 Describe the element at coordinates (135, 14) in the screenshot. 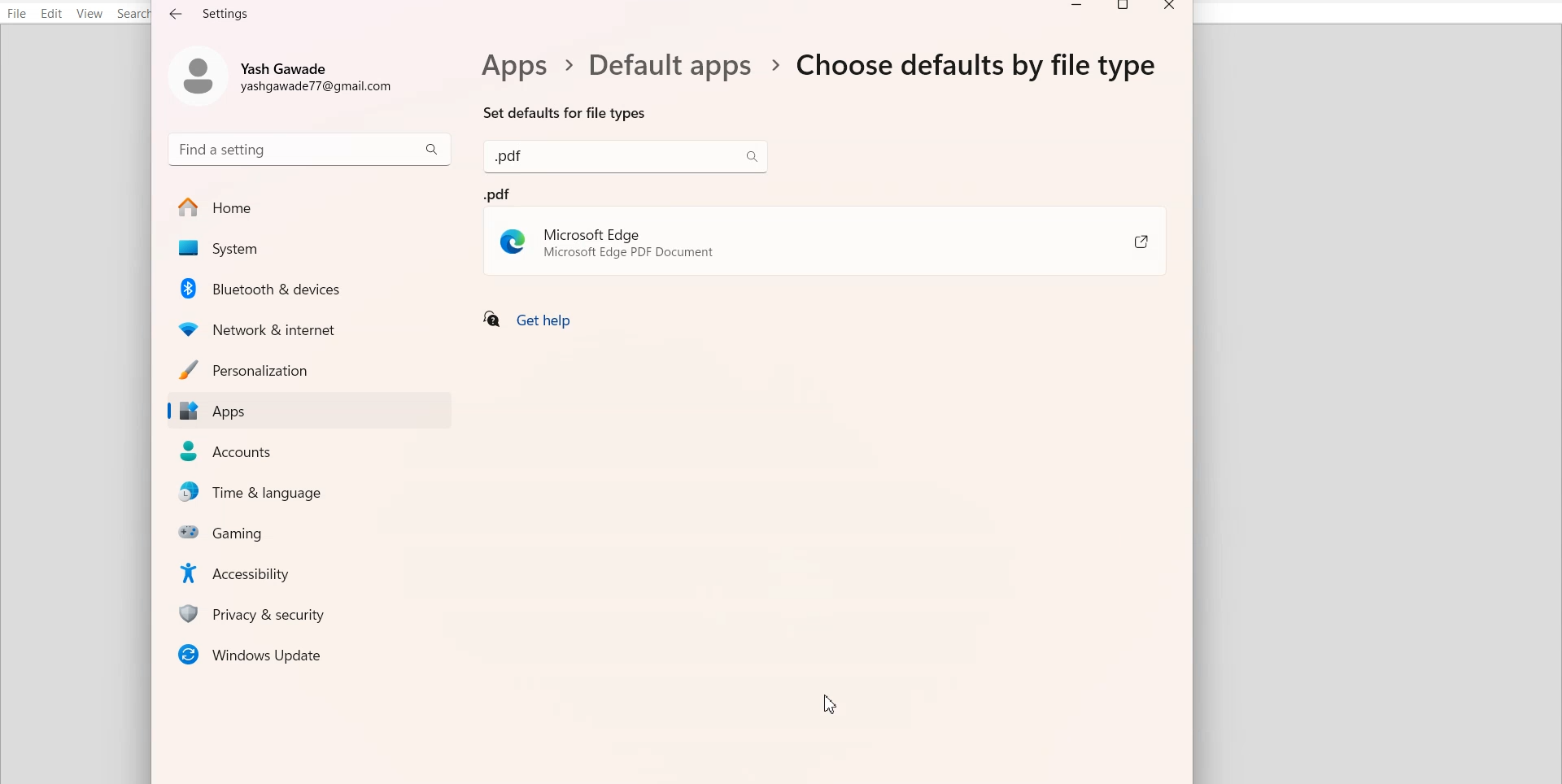

I see `Search` at that location.